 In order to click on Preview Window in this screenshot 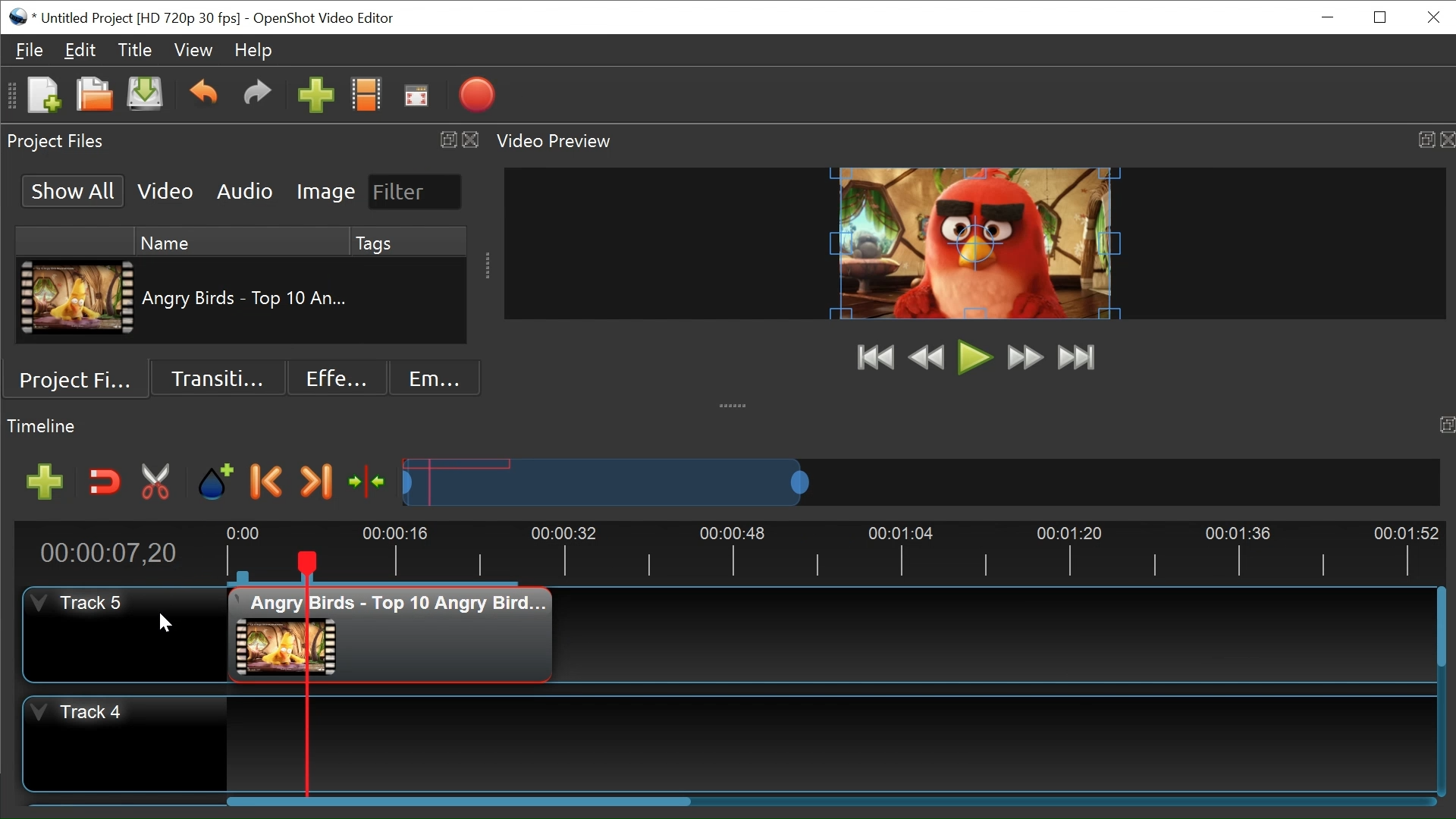, I will do `click(980, 242)`.